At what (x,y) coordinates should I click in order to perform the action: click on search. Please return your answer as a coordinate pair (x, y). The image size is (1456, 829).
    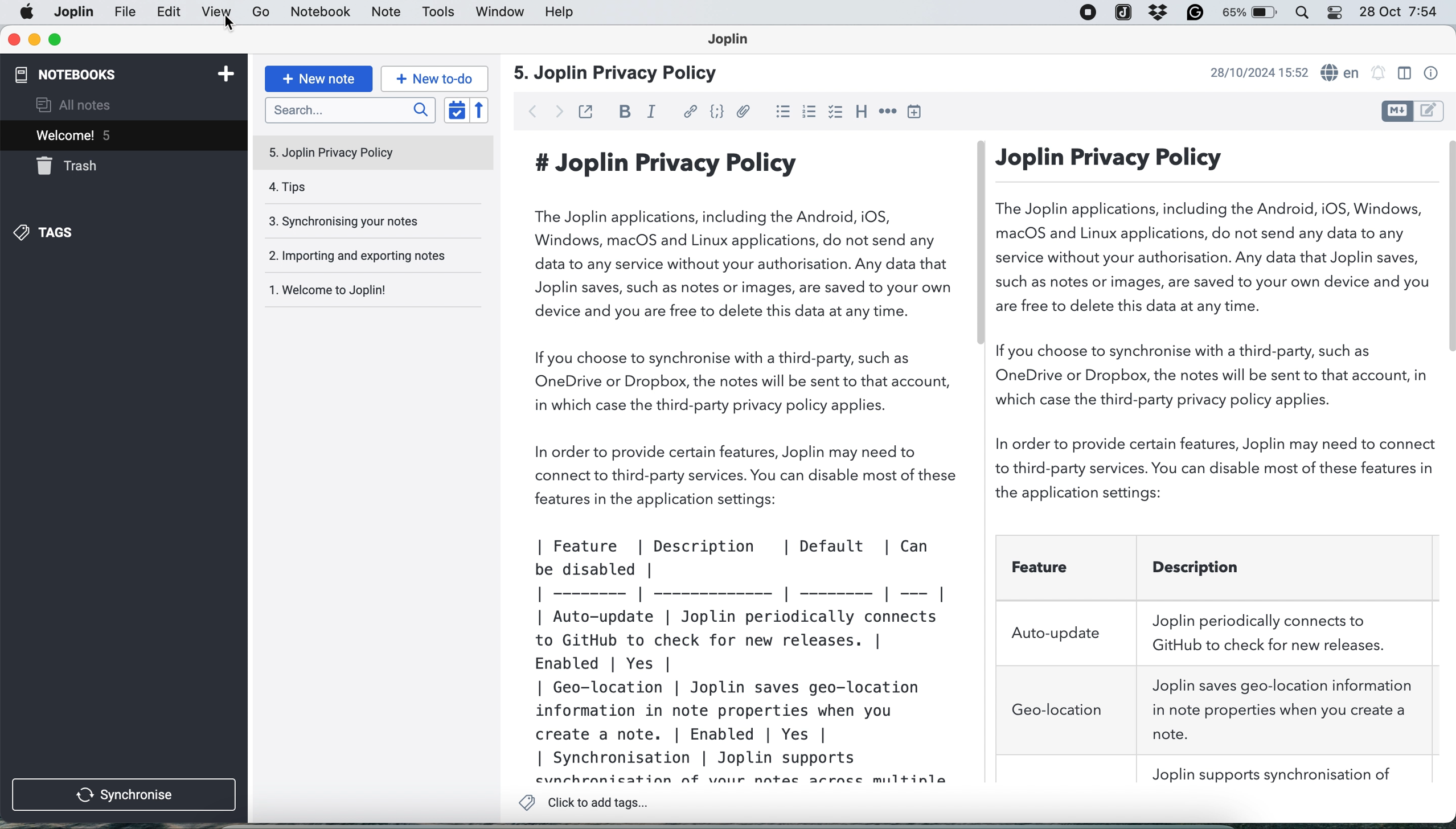
    Looking at the image, I should click on (348, 110).